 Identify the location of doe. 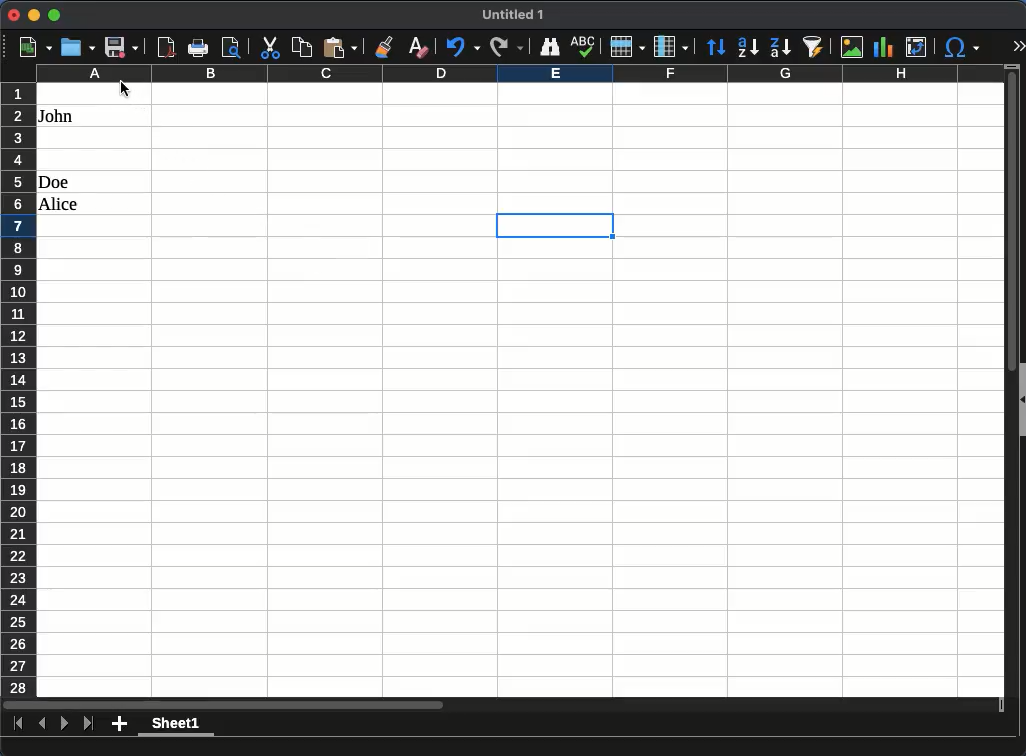
(54, 182).